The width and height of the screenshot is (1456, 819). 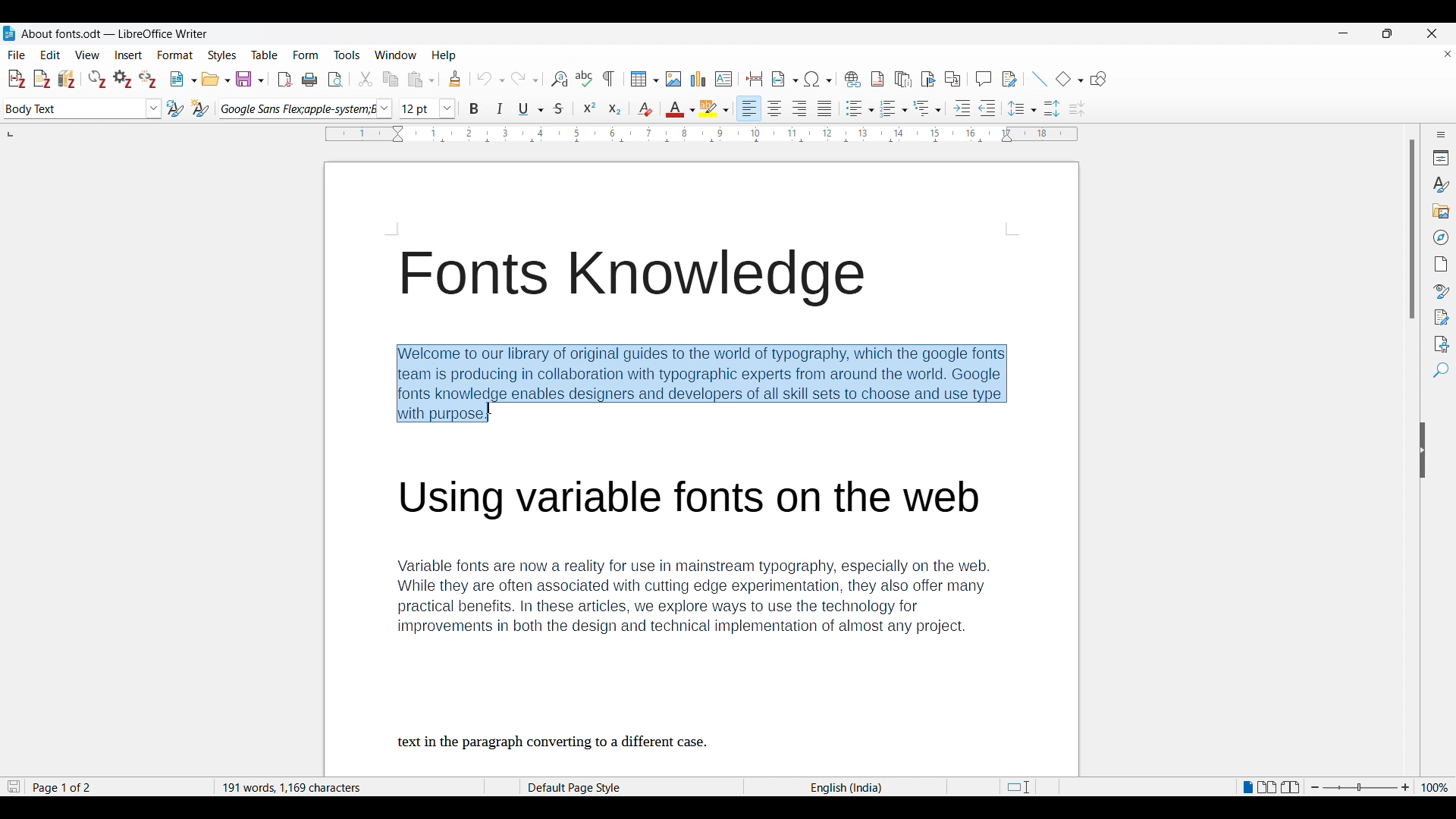 I want to click on Toggle ordered list, so click(x=894, y=108).